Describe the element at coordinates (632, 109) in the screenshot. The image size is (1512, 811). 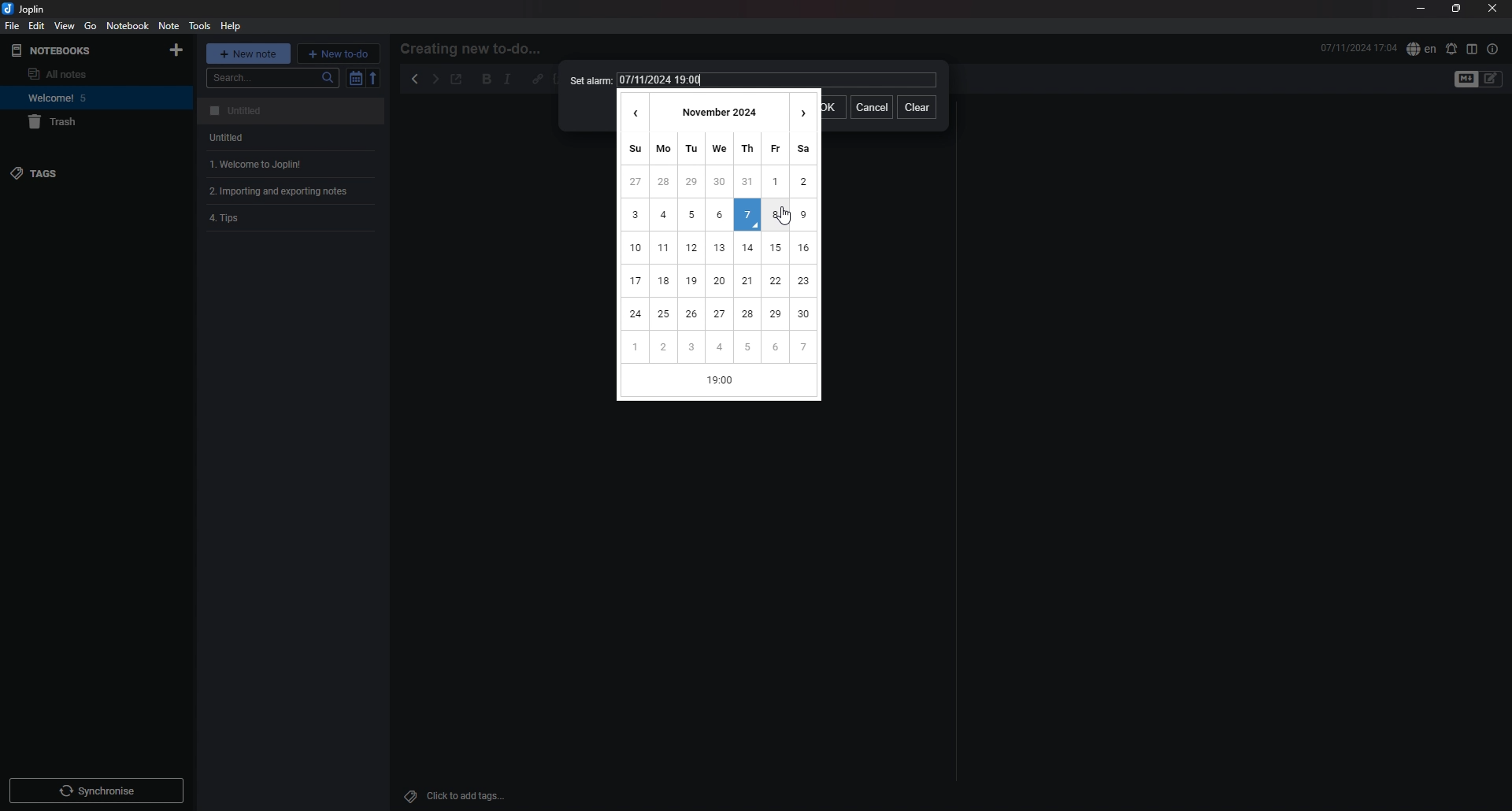
I see `last month` at that location.